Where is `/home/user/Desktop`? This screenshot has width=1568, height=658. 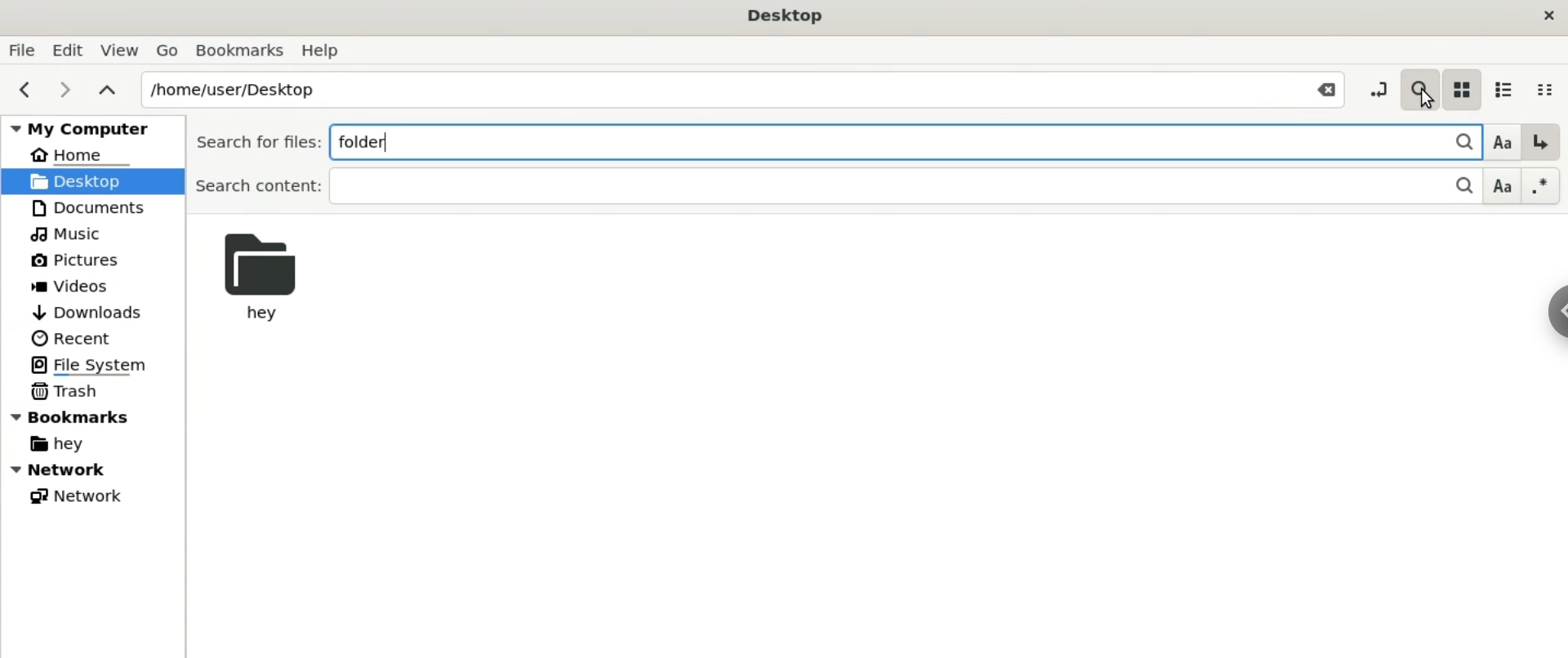
/home/user/Desktop is located at coordinates (708, 87).